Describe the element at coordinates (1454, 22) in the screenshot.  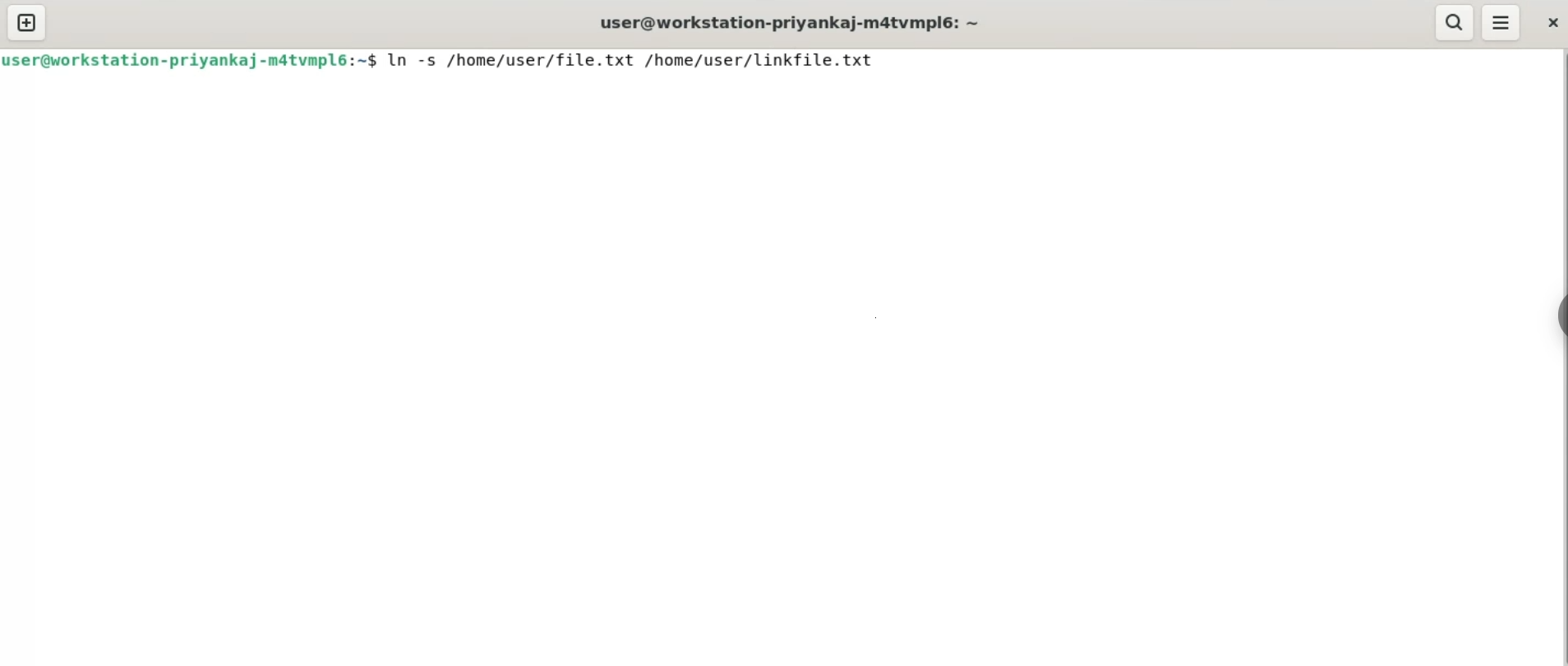
I see `search` at that location.